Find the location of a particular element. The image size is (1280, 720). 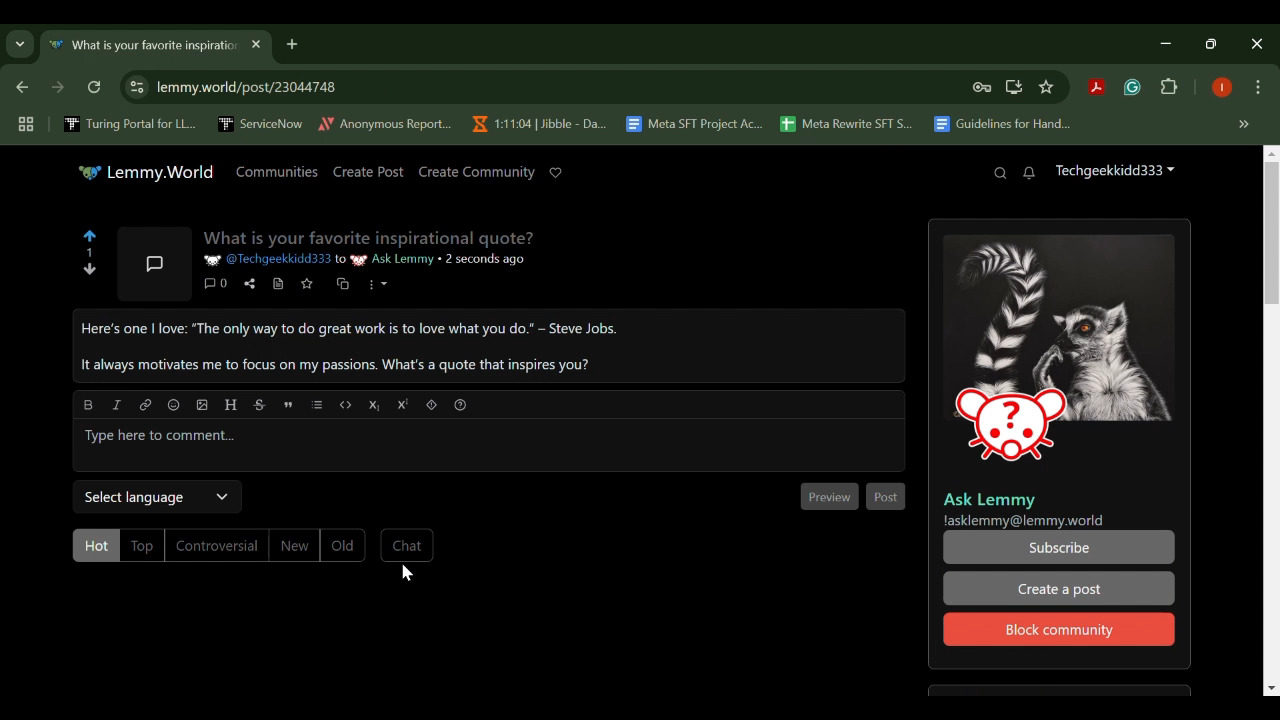

More Options Dropdown is located at coordinates (378, 286).